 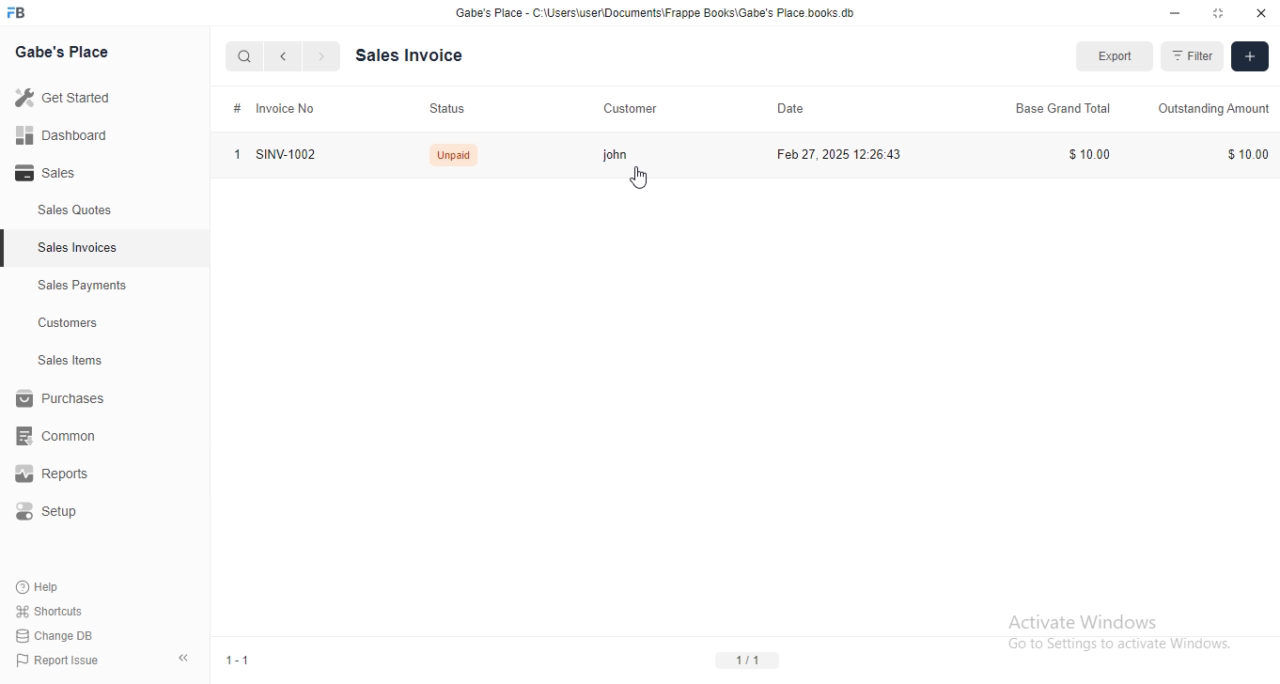 I want to click on get started, so click(x=63, y=98).